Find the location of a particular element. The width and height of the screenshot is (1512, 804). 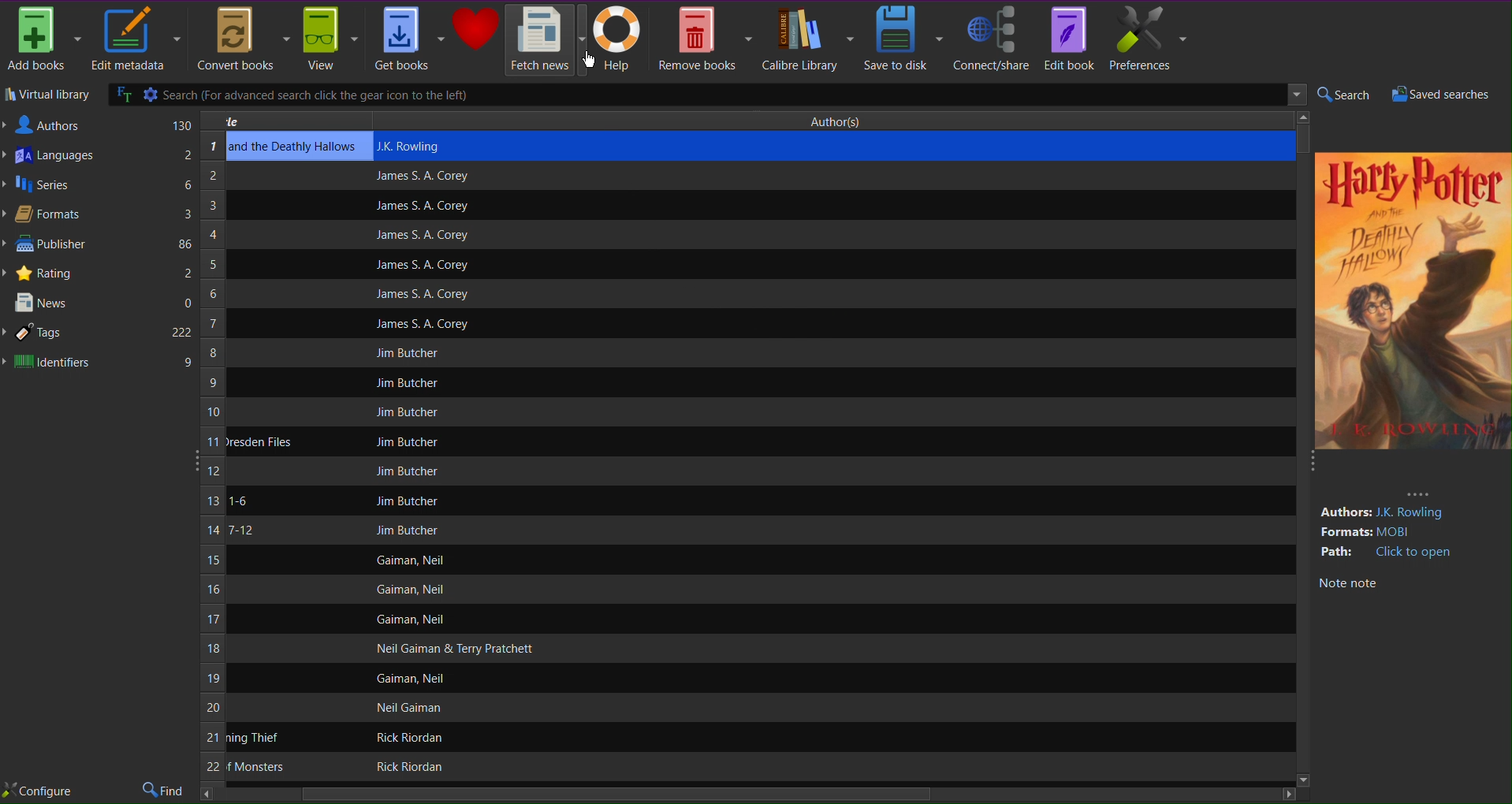

Jim Butcher is located at coordinates (408, 530).